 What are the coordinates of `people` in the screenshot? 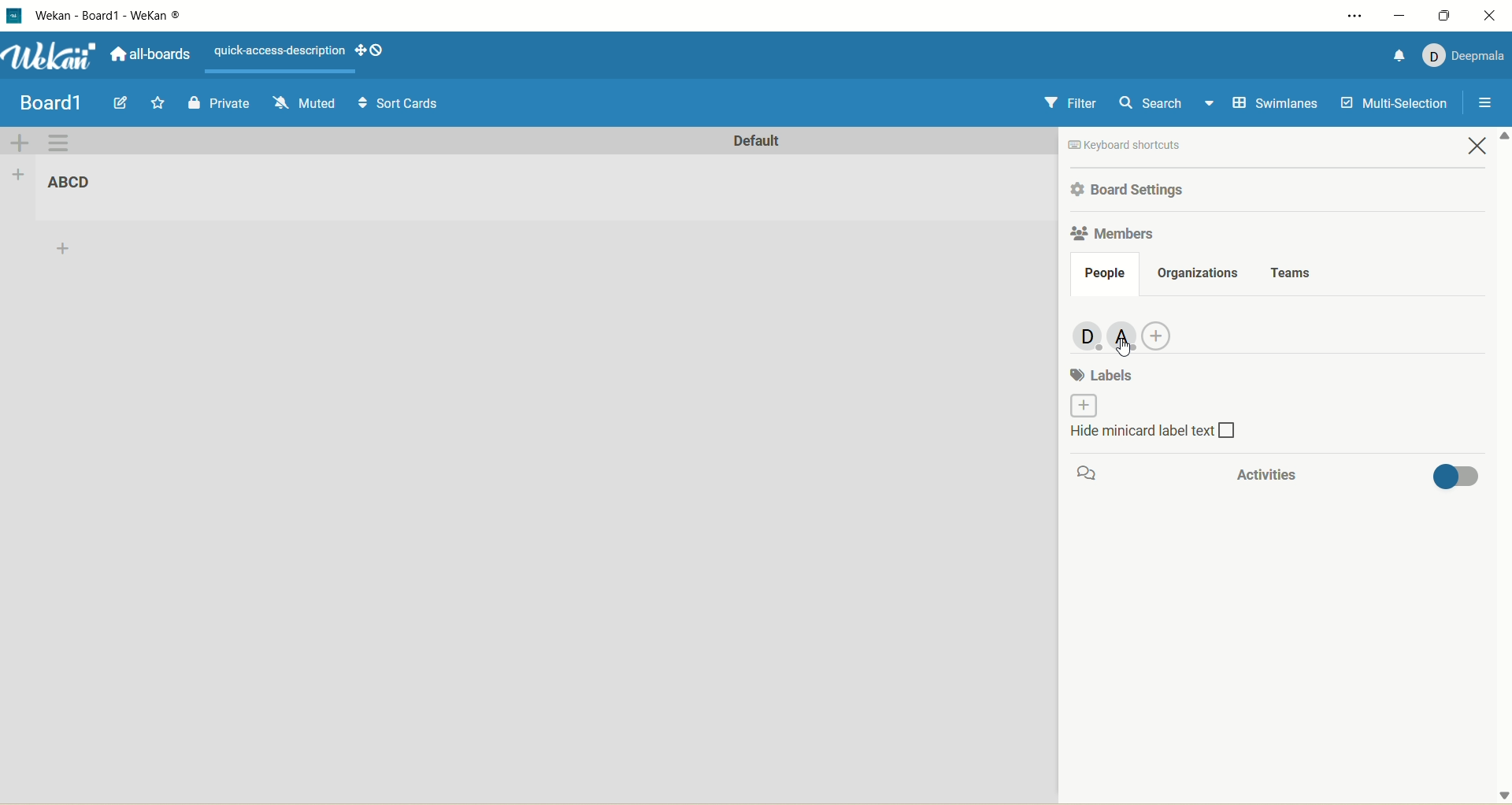 It's located at (1104, 274).